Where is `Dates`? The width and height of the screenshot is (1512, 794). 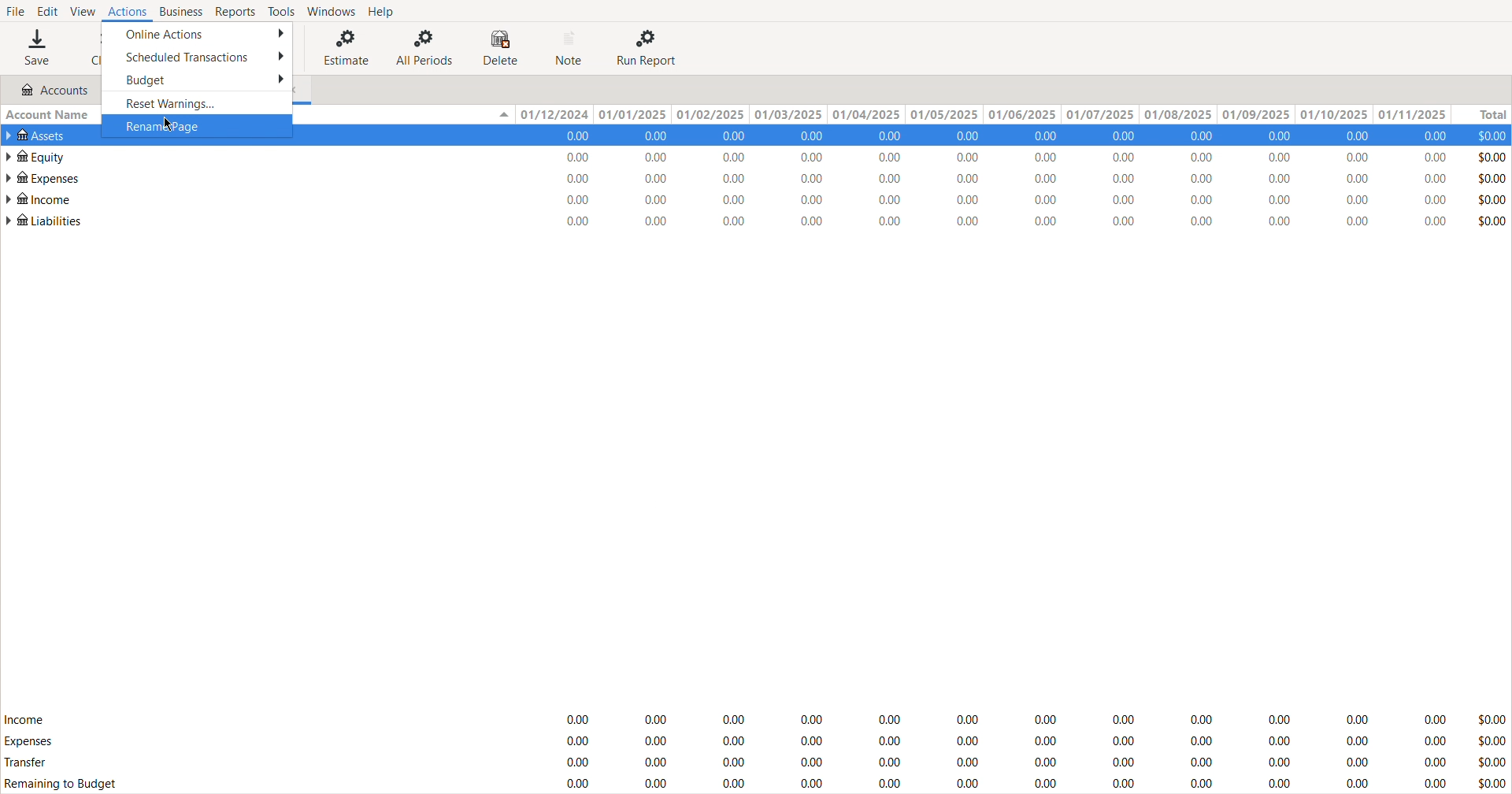 Dates is located at coordinates (979, 115).